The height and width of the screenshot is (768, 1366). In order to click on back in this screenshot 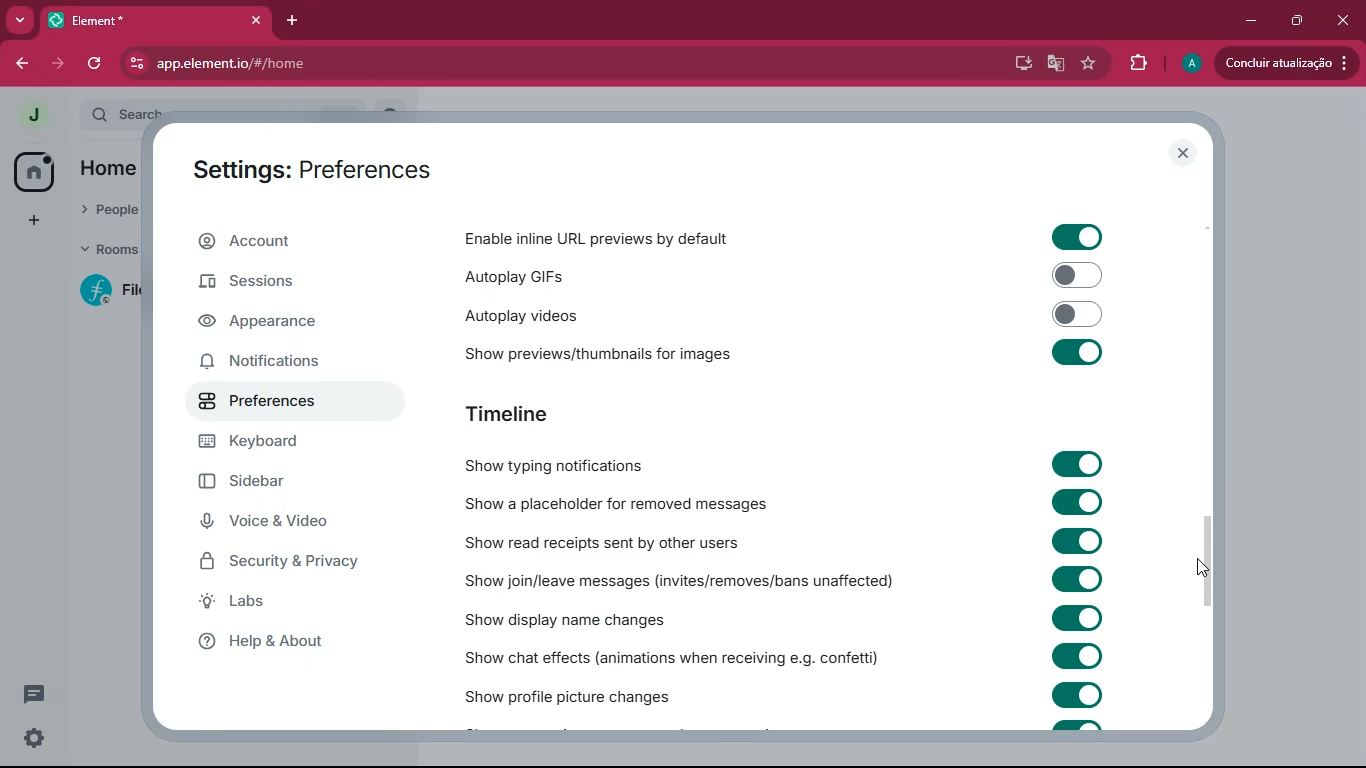, I will do `click(23, 64)`.